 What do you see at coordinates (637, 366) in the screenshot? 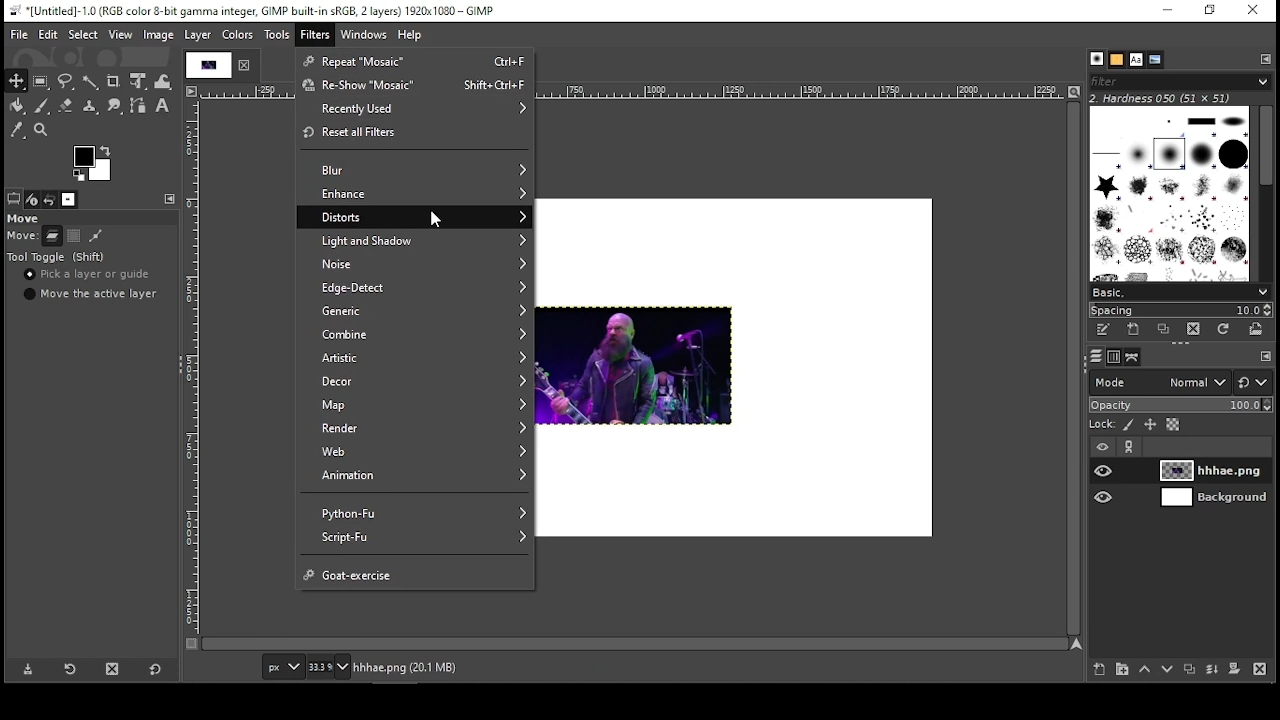
I see `image` at bounding box center [637, 366].